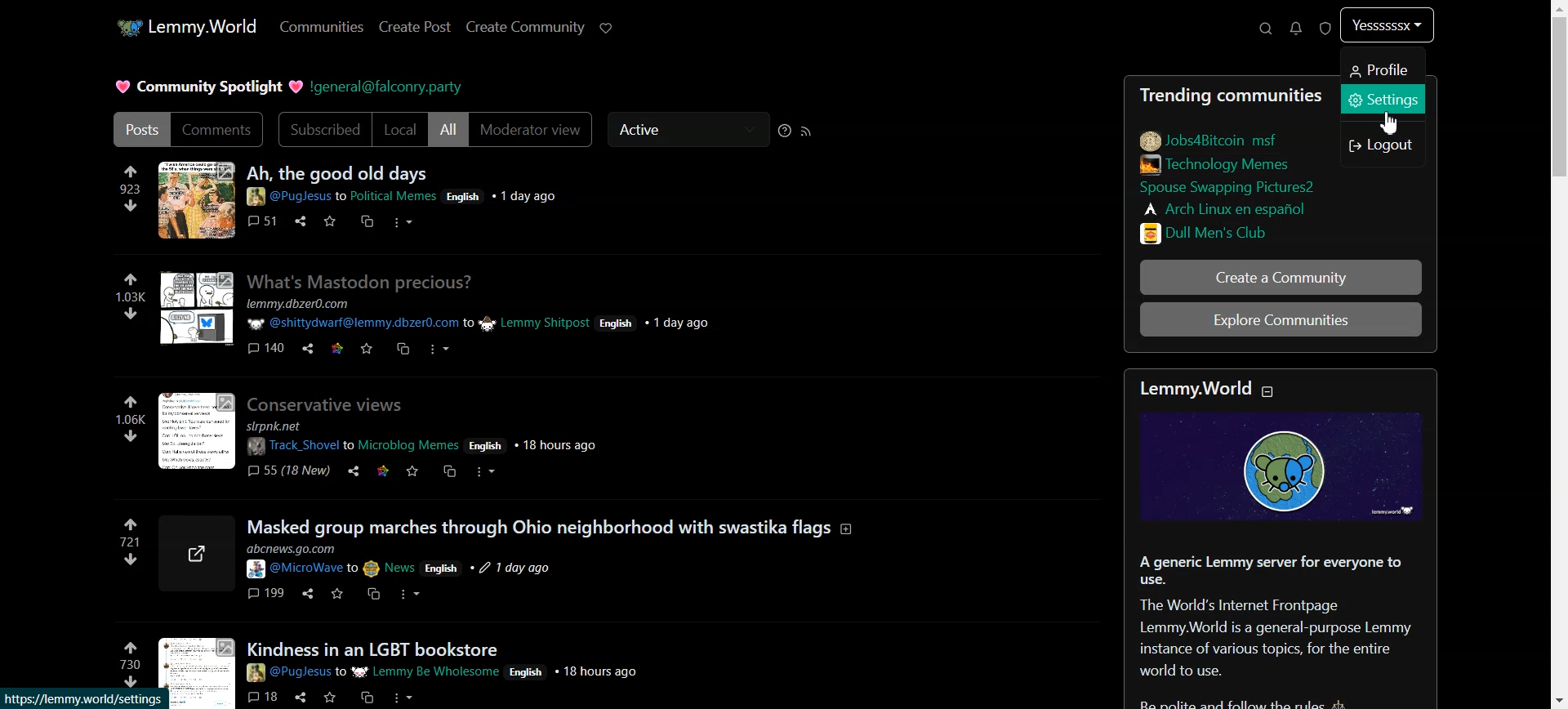 The image size is (1568, 709). What do you see at coordinates (1210, 139) in the screenshot?
I see `link` at bounding box center [1210, 139].